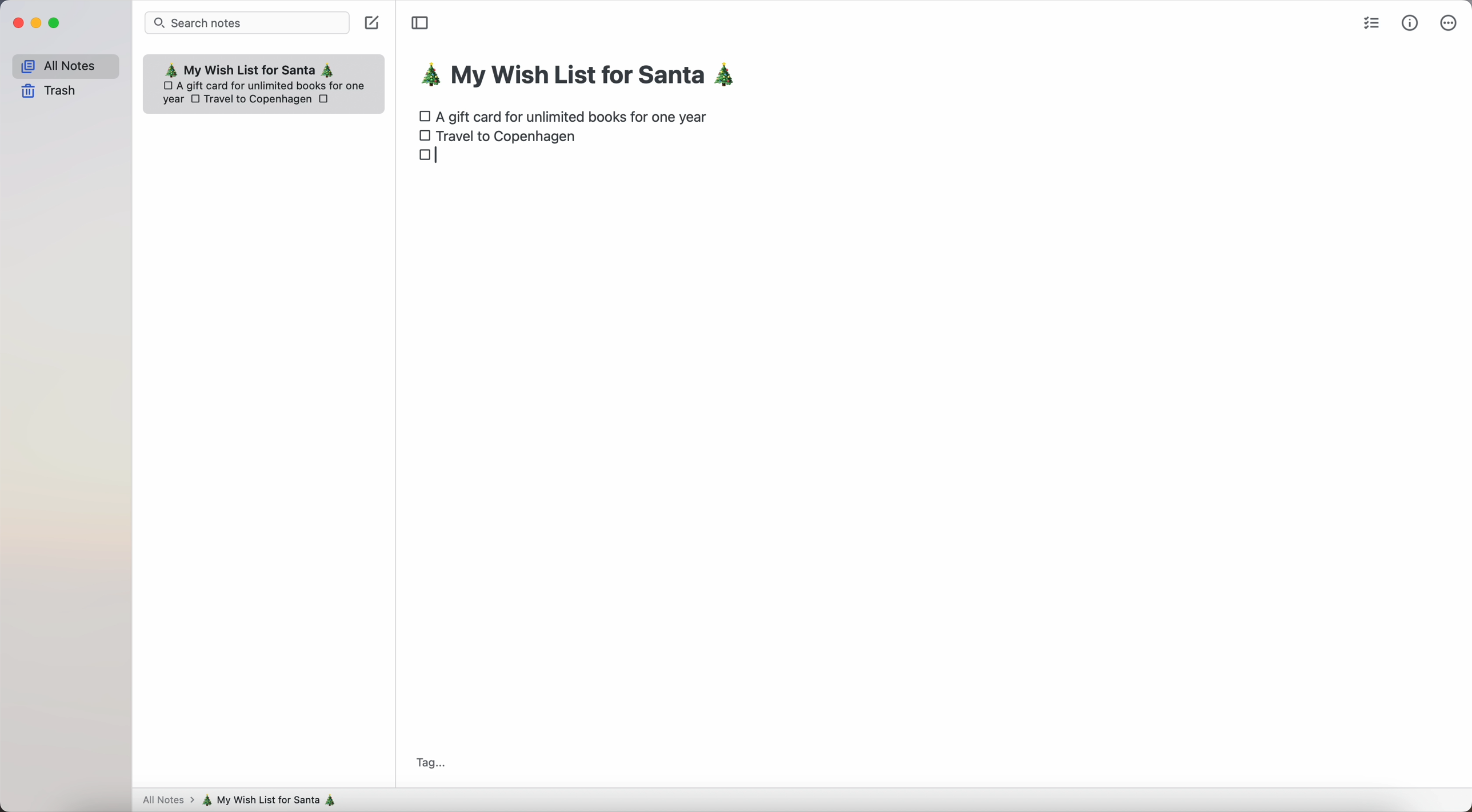 Image resolution: width=1472 pixels, height=812 pixels. What do you see at coordinates (1373, 24) in the screenshot?
I see `check list` at bounding box center [1373, 24].